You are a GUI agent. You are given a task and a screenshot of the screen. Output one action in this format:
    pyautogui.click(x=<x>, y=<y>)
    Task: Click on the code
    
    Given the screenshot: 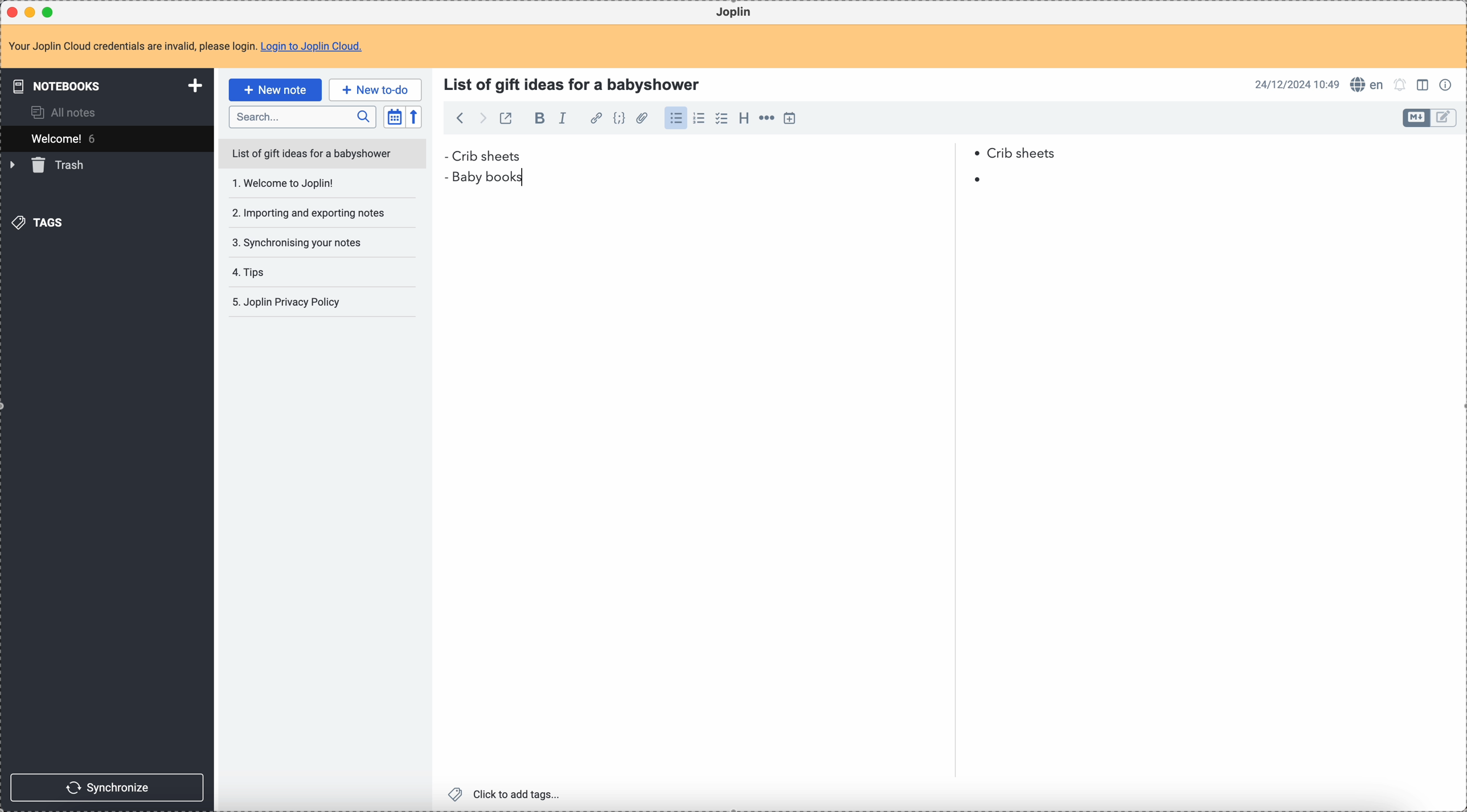 What is the action you would take?
    pyautogui.click(x=621, y=119)
    